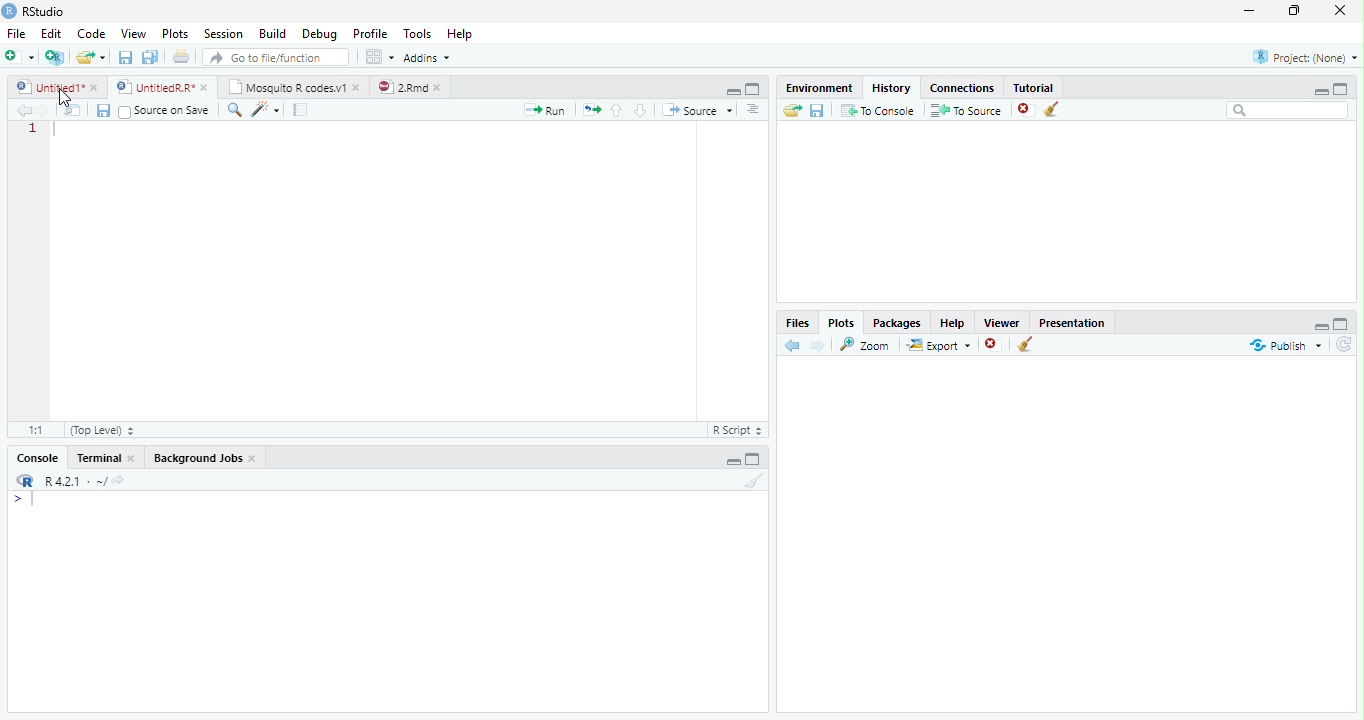  I want to click on Create project, so click(54, 57).